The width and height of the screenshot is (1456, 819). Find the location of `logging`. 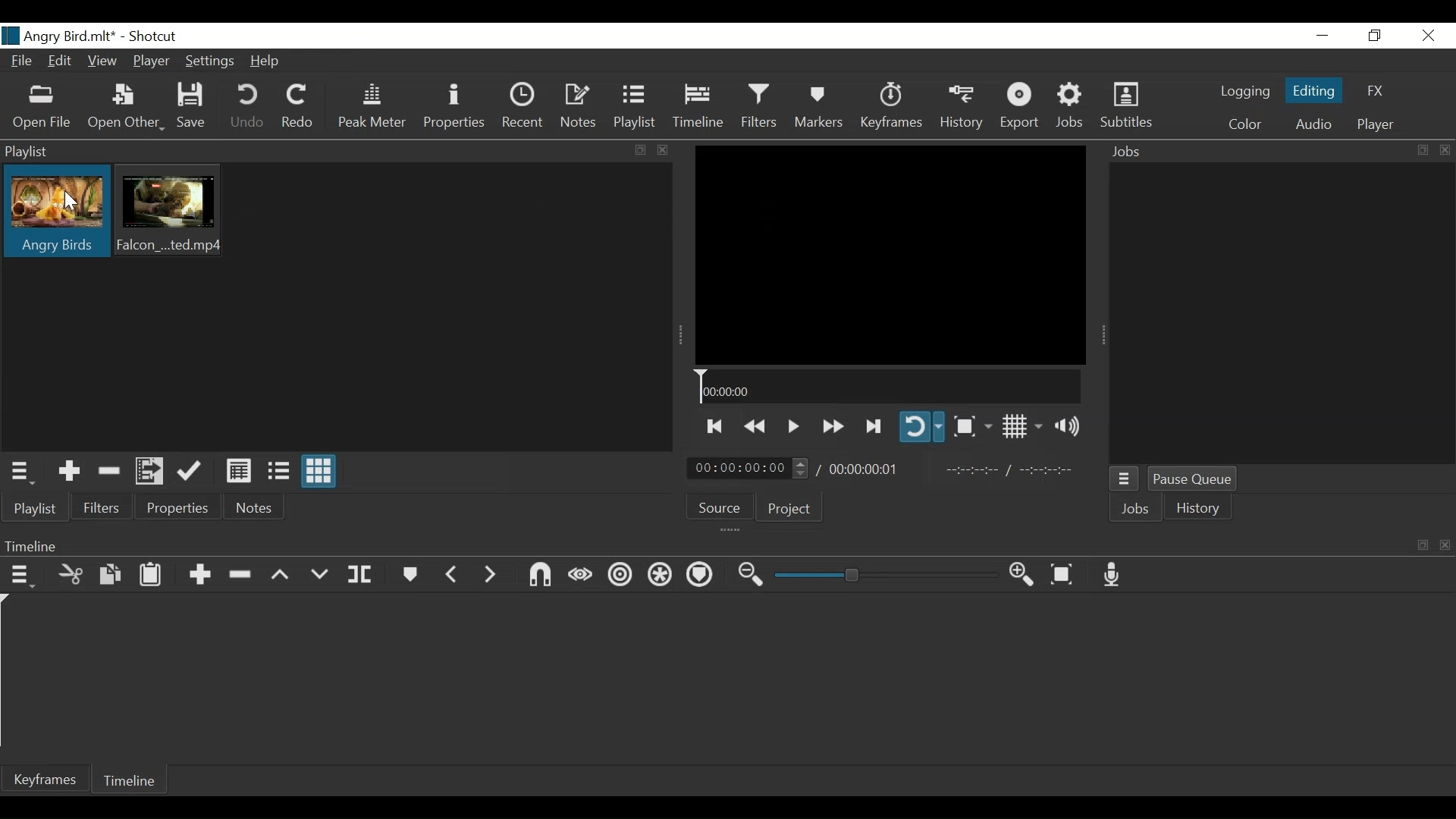

logging is located at coordinates (1245, 93).